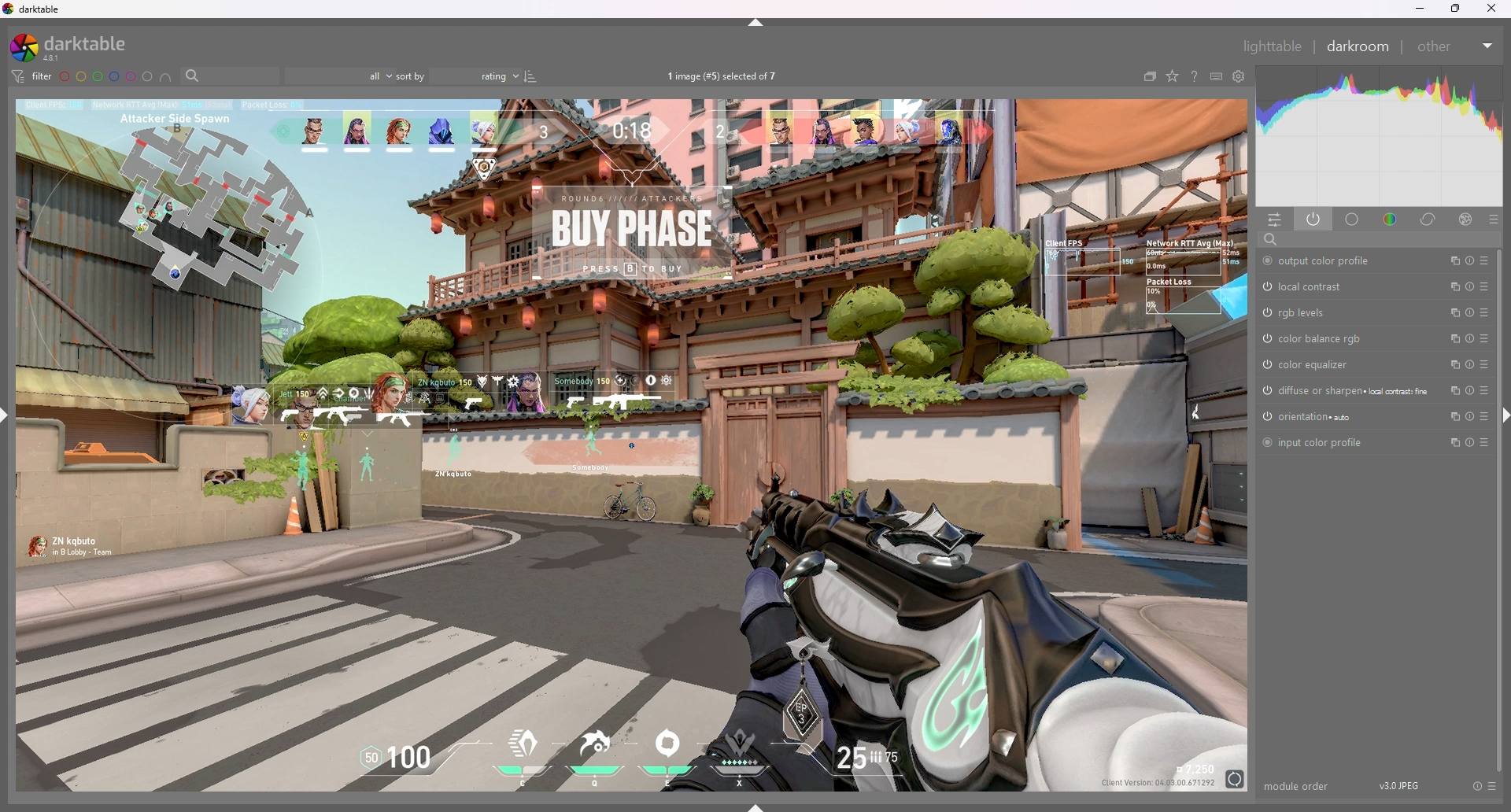 Image resolution: width=1511 pixels, height=812 pixels. What do you see at coordinates (1296, 313) in the screenshot?
I see `rgb levels` at bounding box center [1296, 313].